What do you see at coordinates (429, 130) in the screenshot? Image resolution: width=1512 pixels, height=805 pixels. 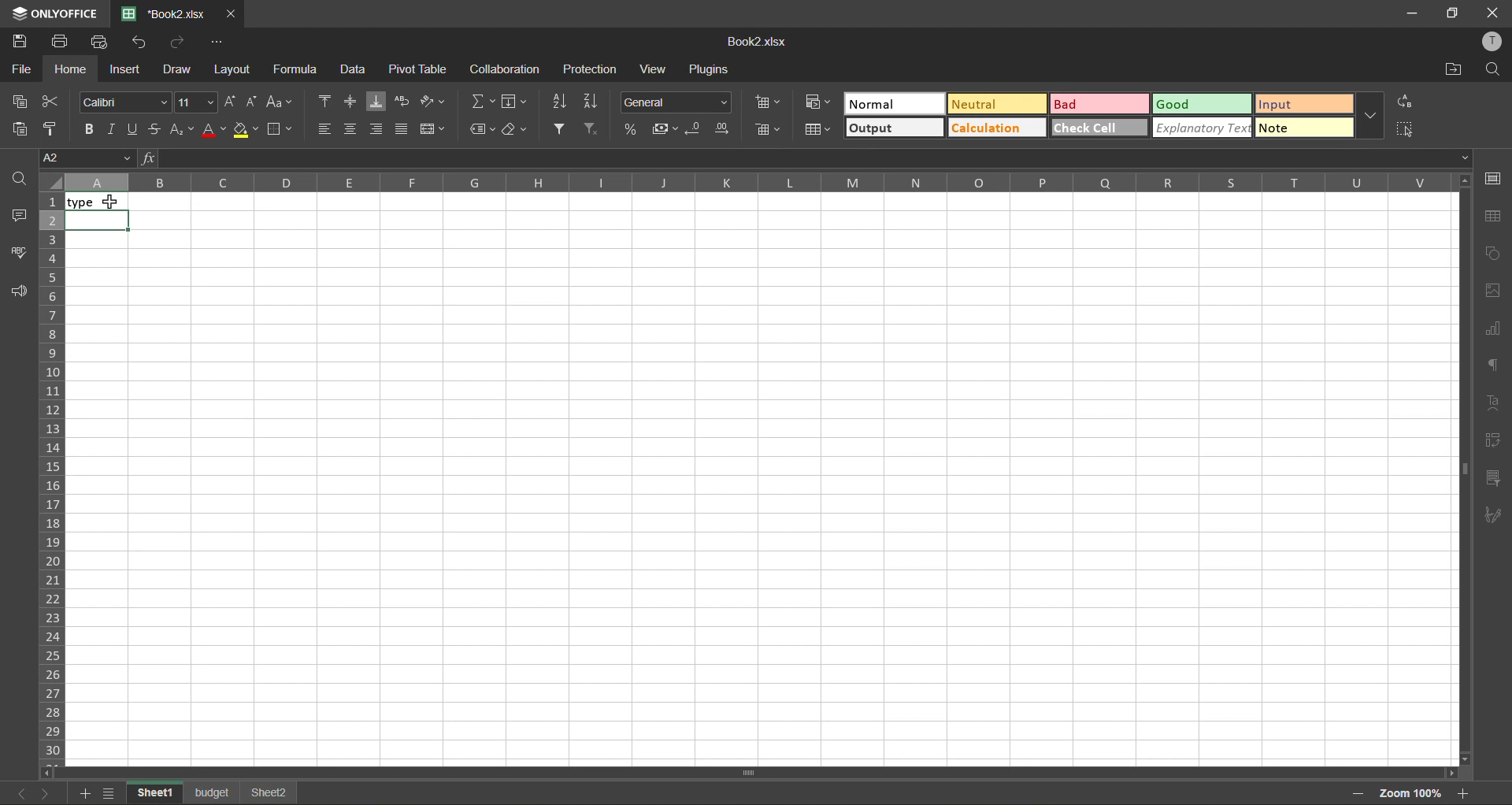 I see `merge and center` at bounding box center [429, 130].